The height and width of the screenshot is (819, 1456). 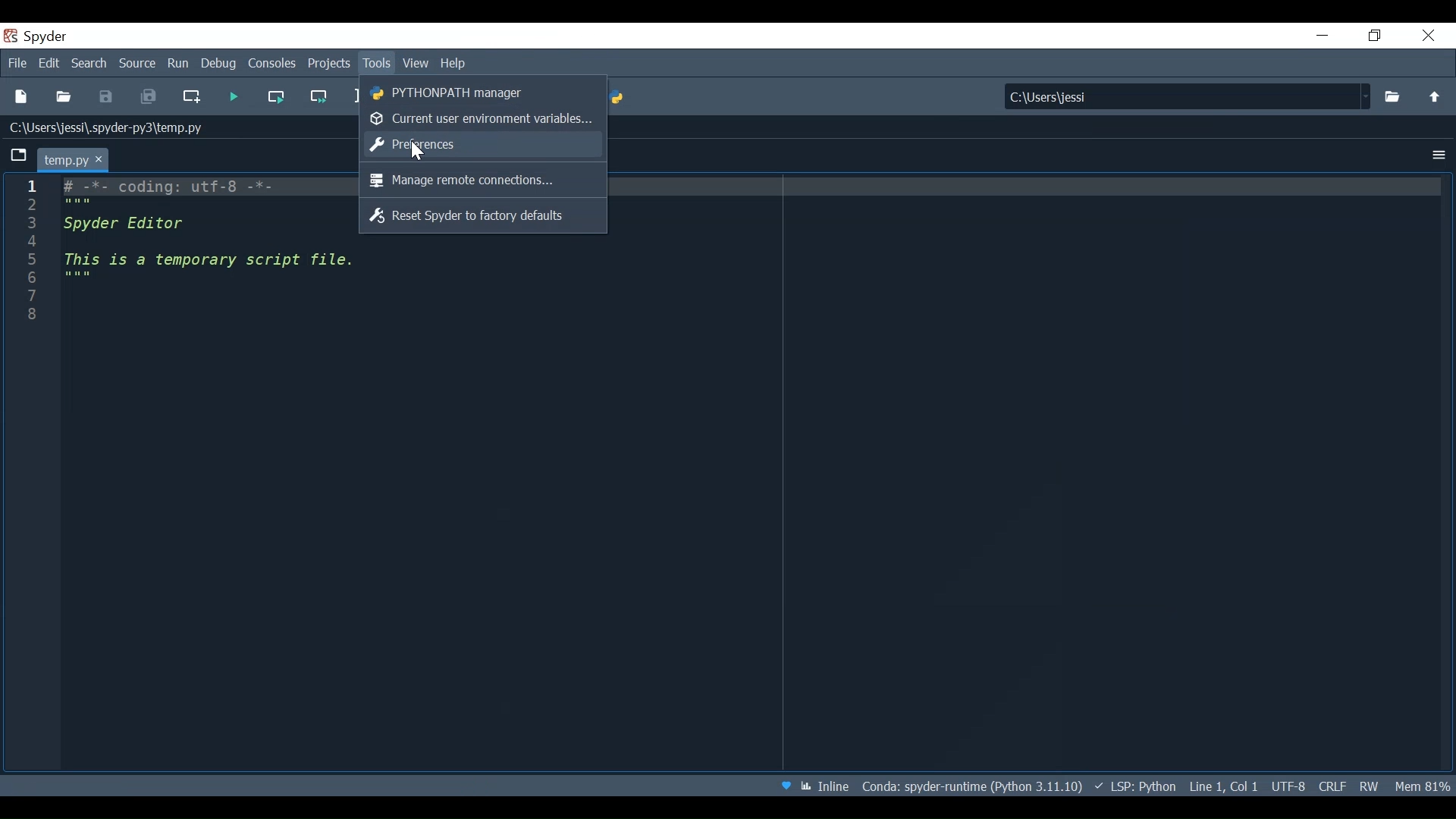 I want to click on Debug, so click(x=220, y=64).